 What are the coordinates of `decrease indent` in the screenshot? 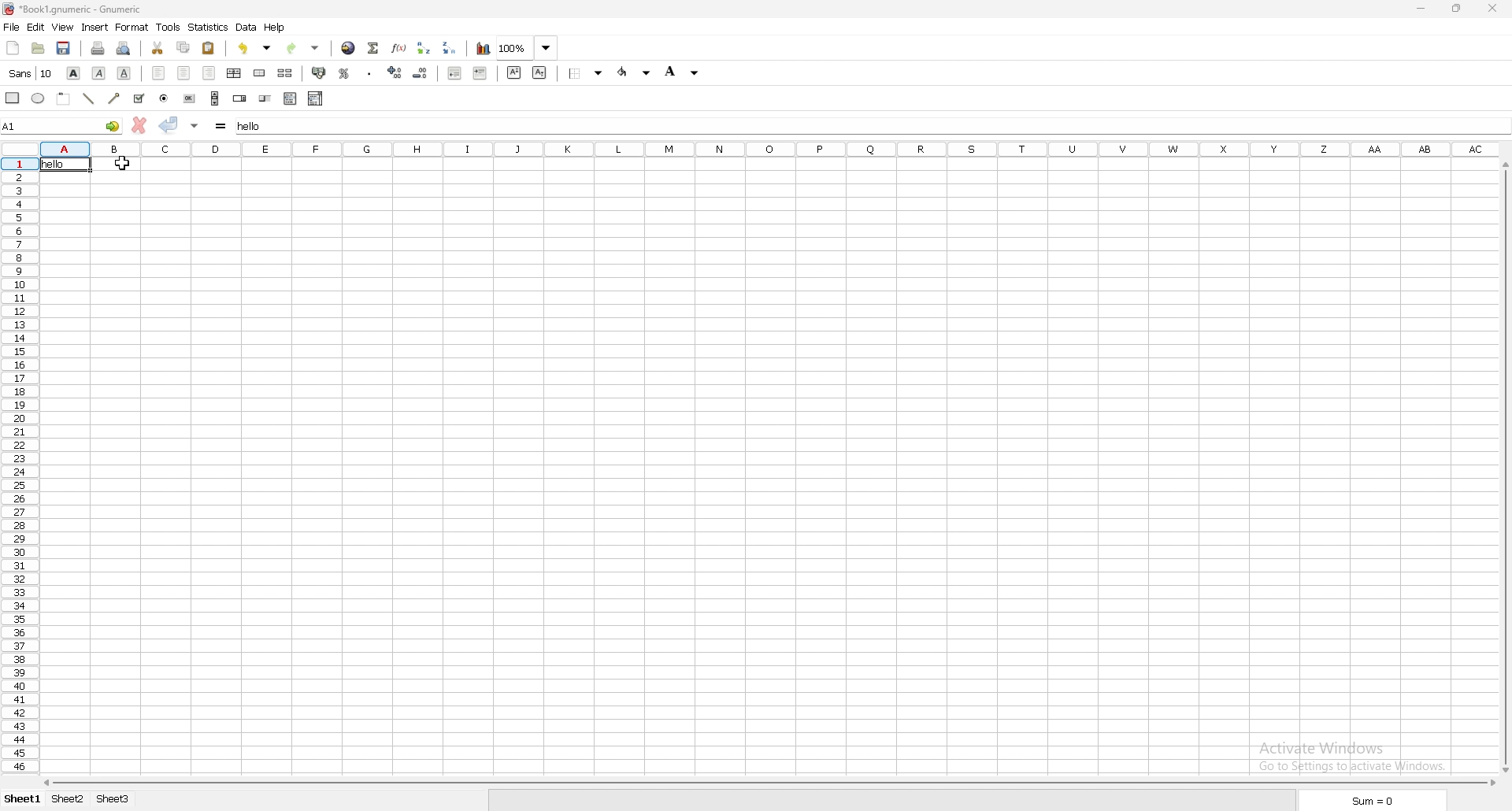 It's located at (455, 72).